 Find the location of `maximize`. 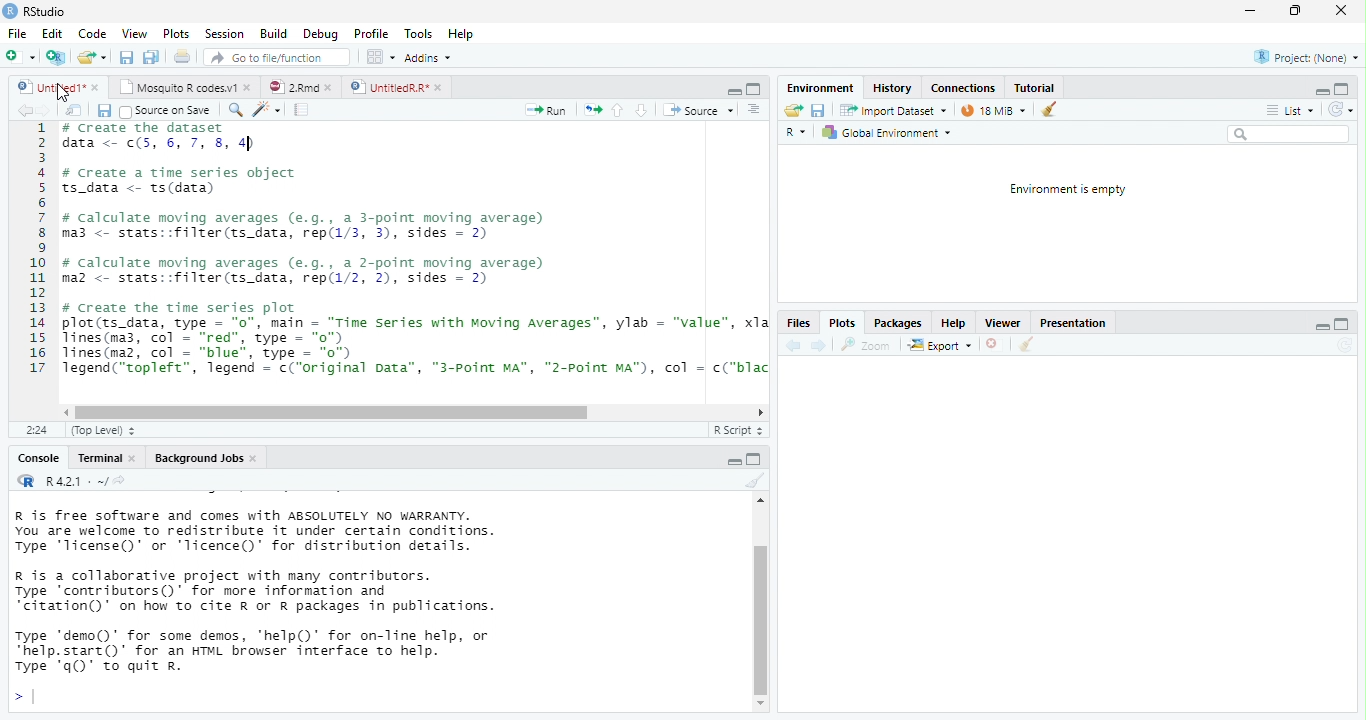

maximize is located at coordinates (1295, 11).